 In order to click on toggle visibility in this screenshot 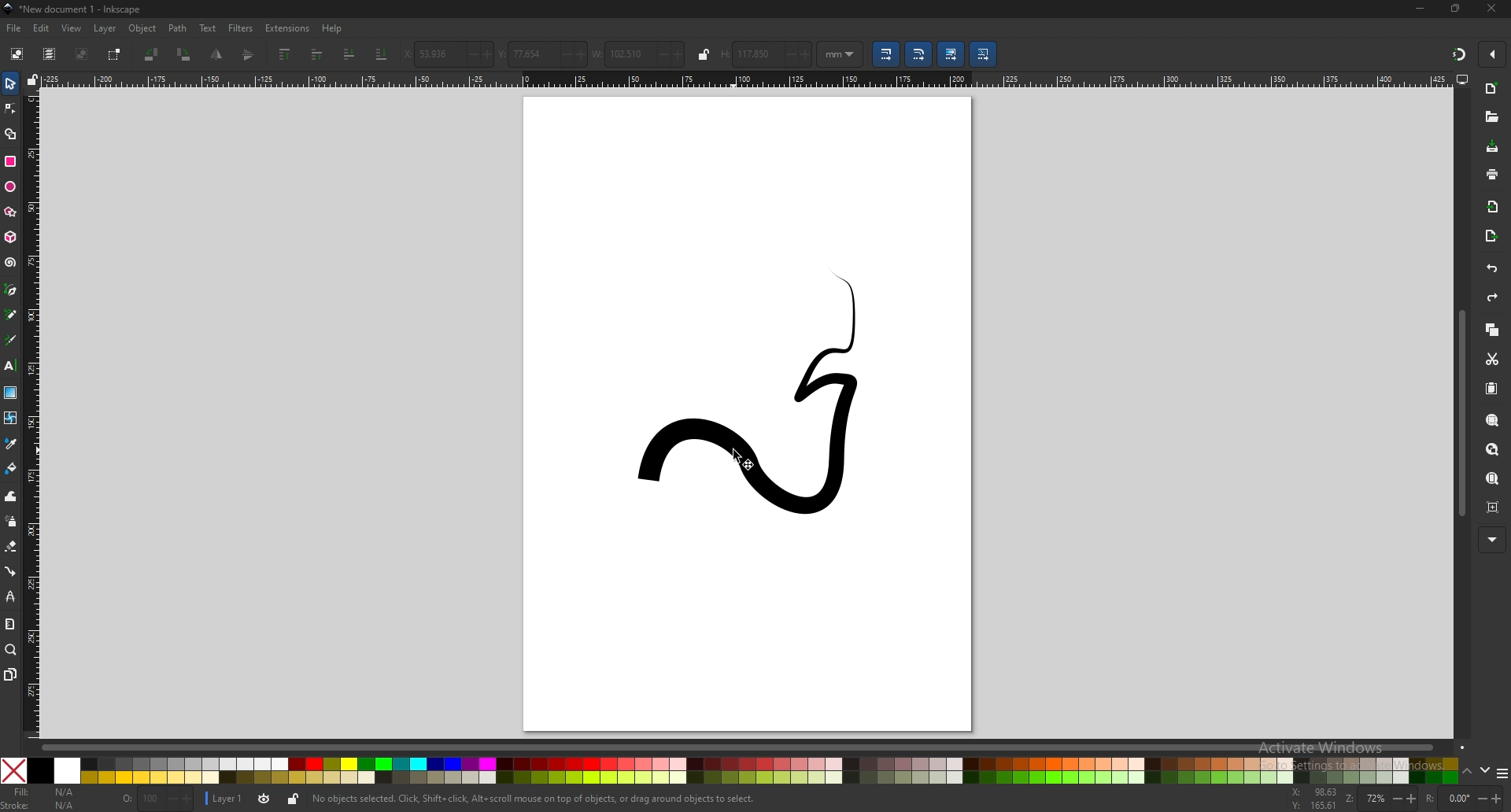, I will do `click(265, 799)`.